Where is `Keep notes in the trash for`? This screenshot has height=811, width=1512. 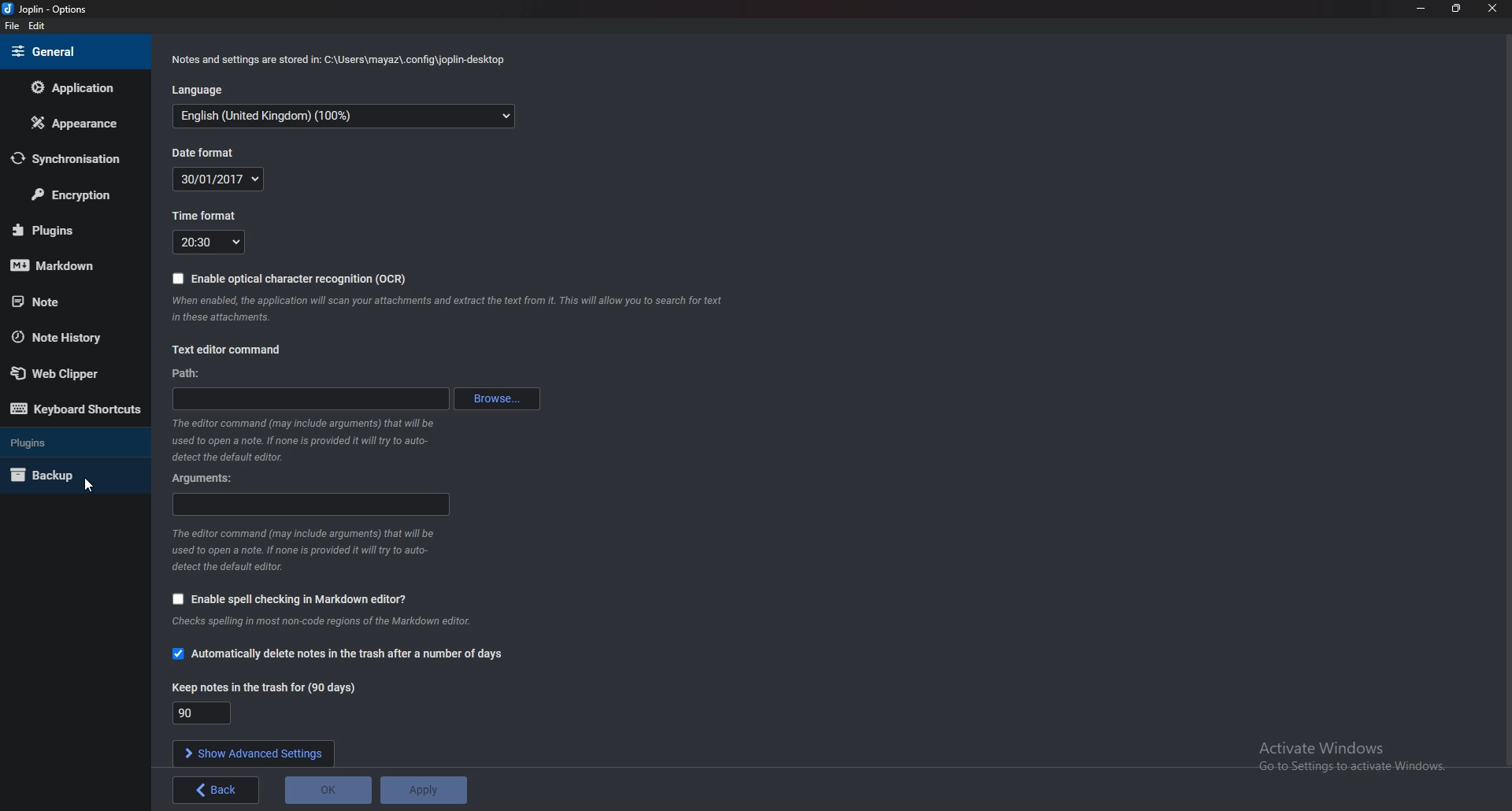 Keep notes in the trash for is located at coordinates (259, 688).